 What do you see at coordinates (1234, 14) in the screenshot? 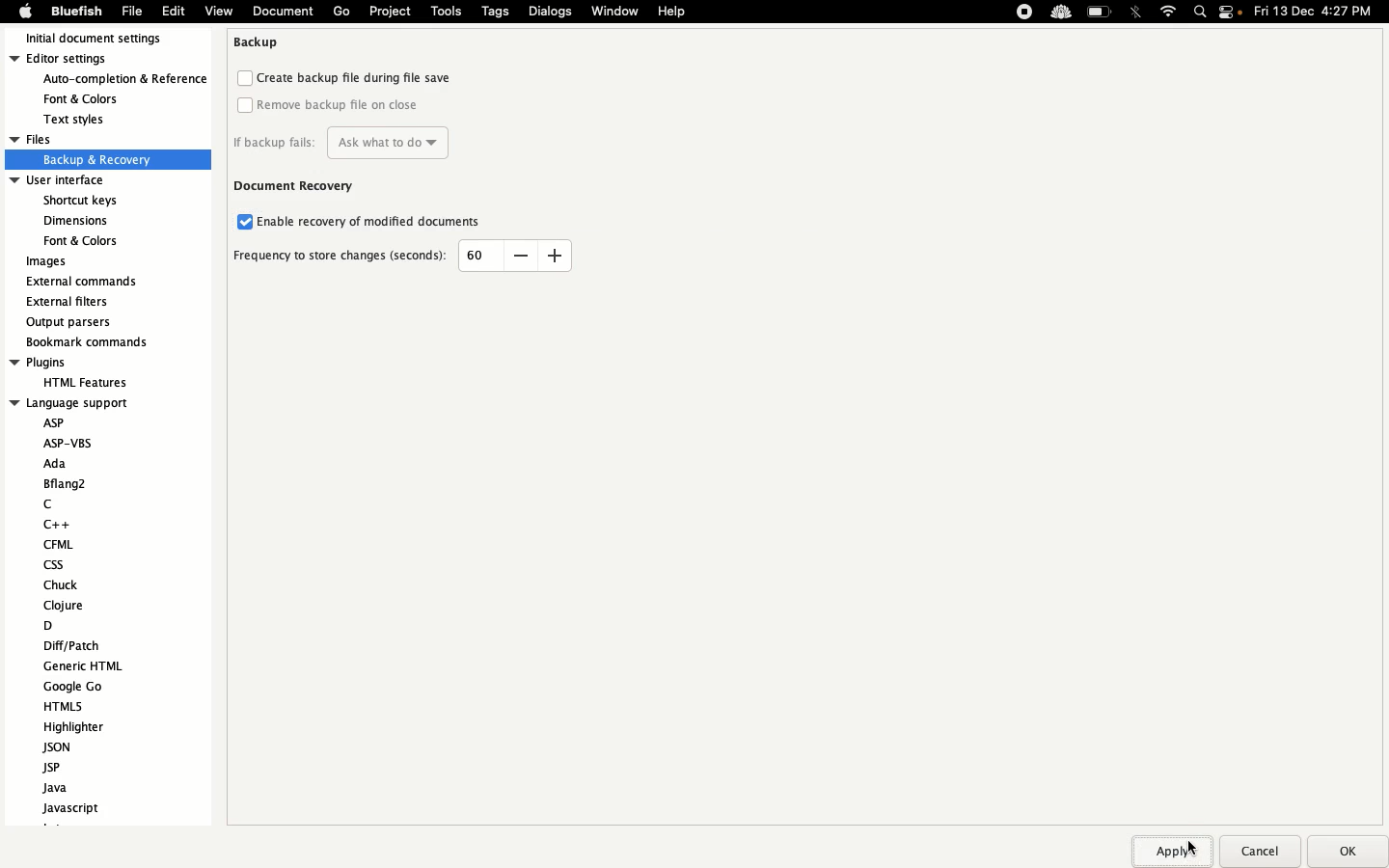
I see `Notification` at bounding box center [1234, 14].